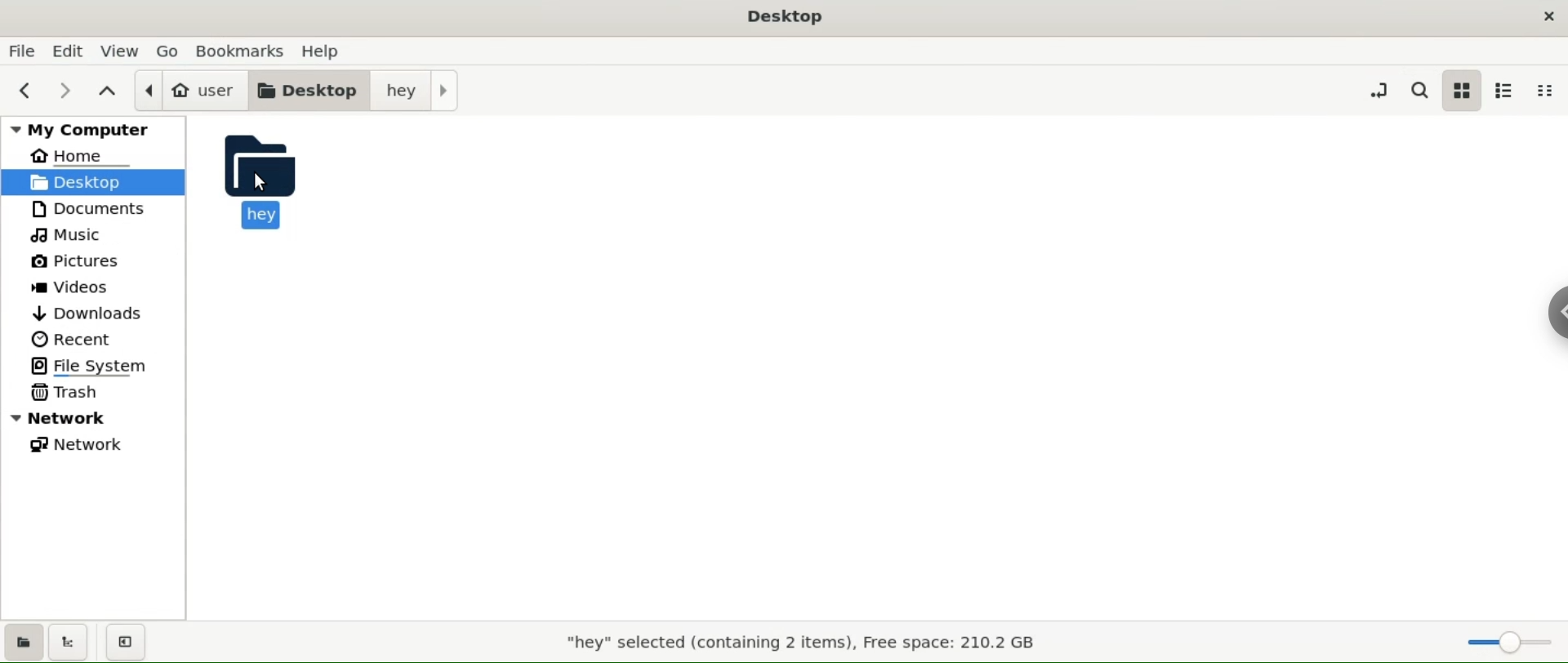  What do you see at coordinates (71, 288) in the screenshot?
I see `videos` at bounding box center [71, 288].